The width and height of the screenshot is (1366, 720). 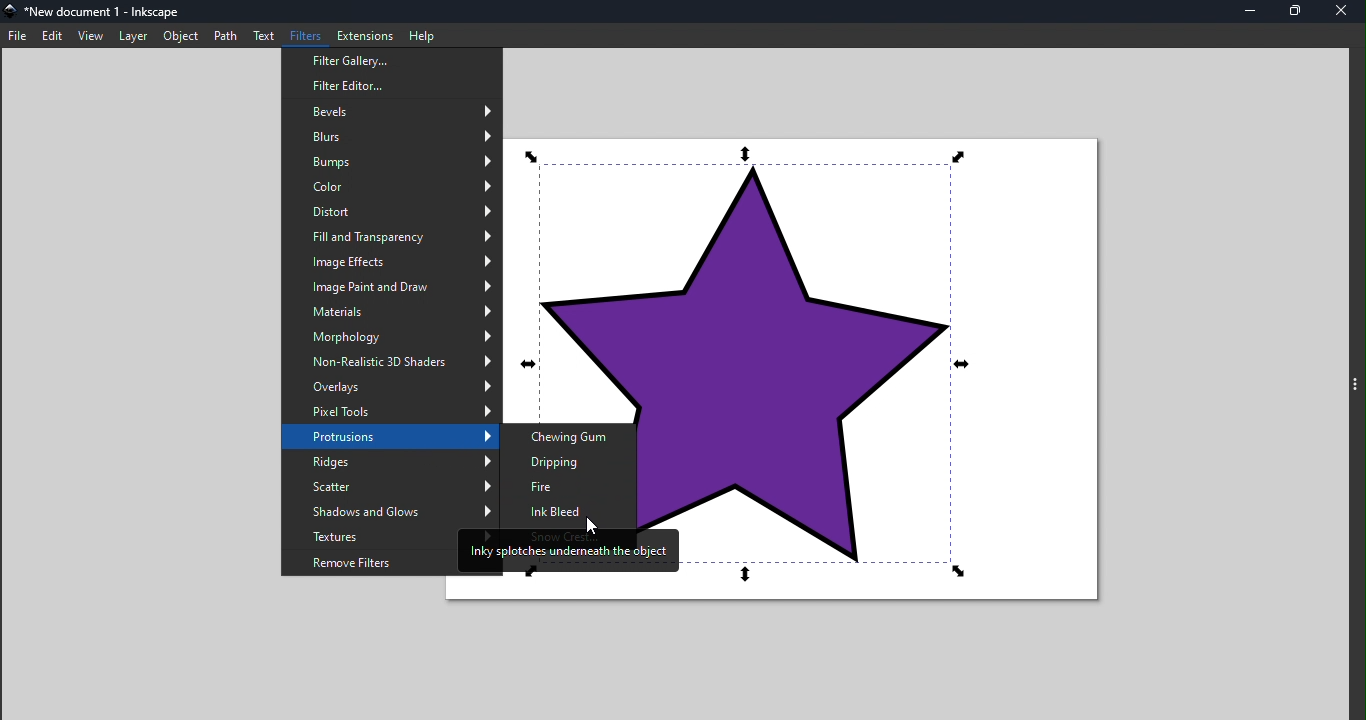 I want to click on Object, so click(x=180, y=37).